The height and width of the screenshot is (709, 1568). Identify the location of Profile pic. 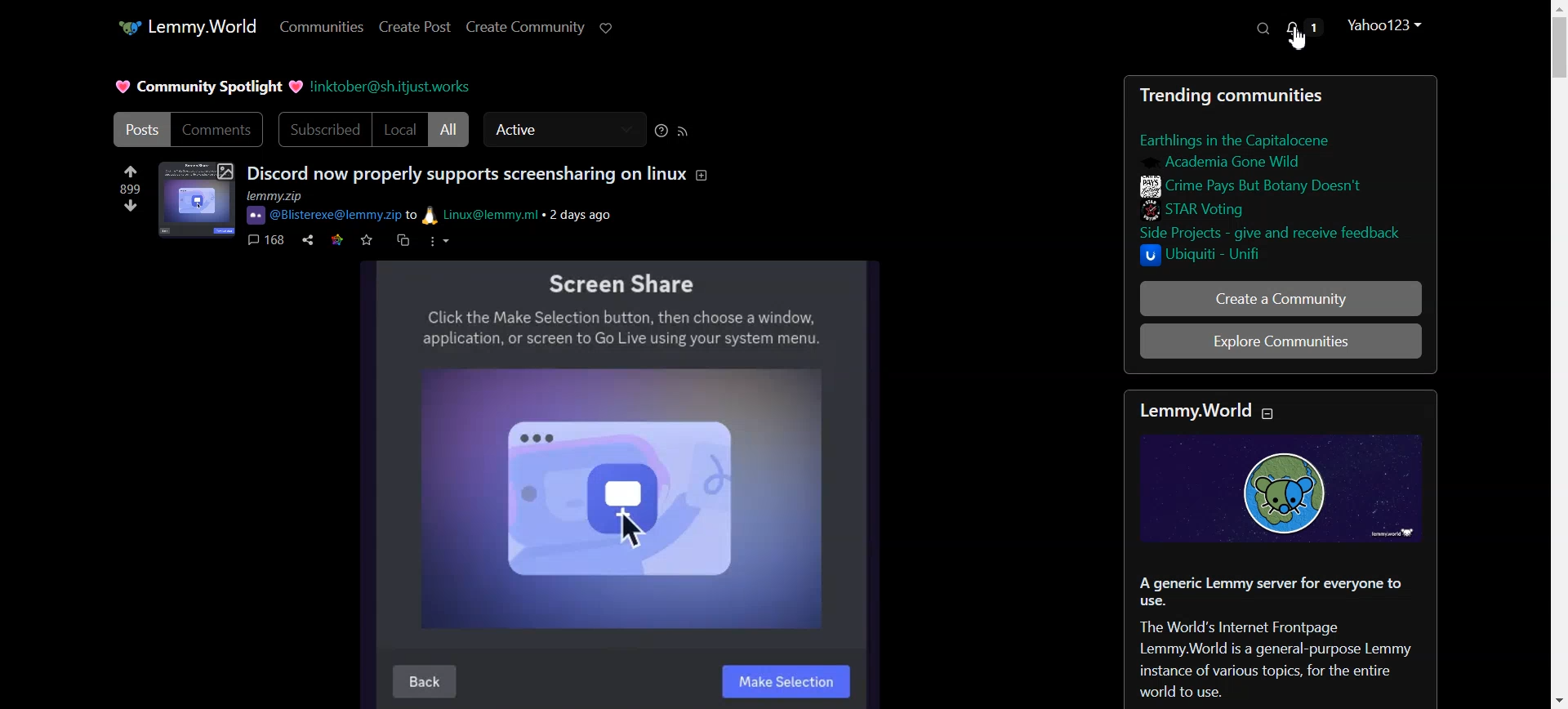
(197, 200).